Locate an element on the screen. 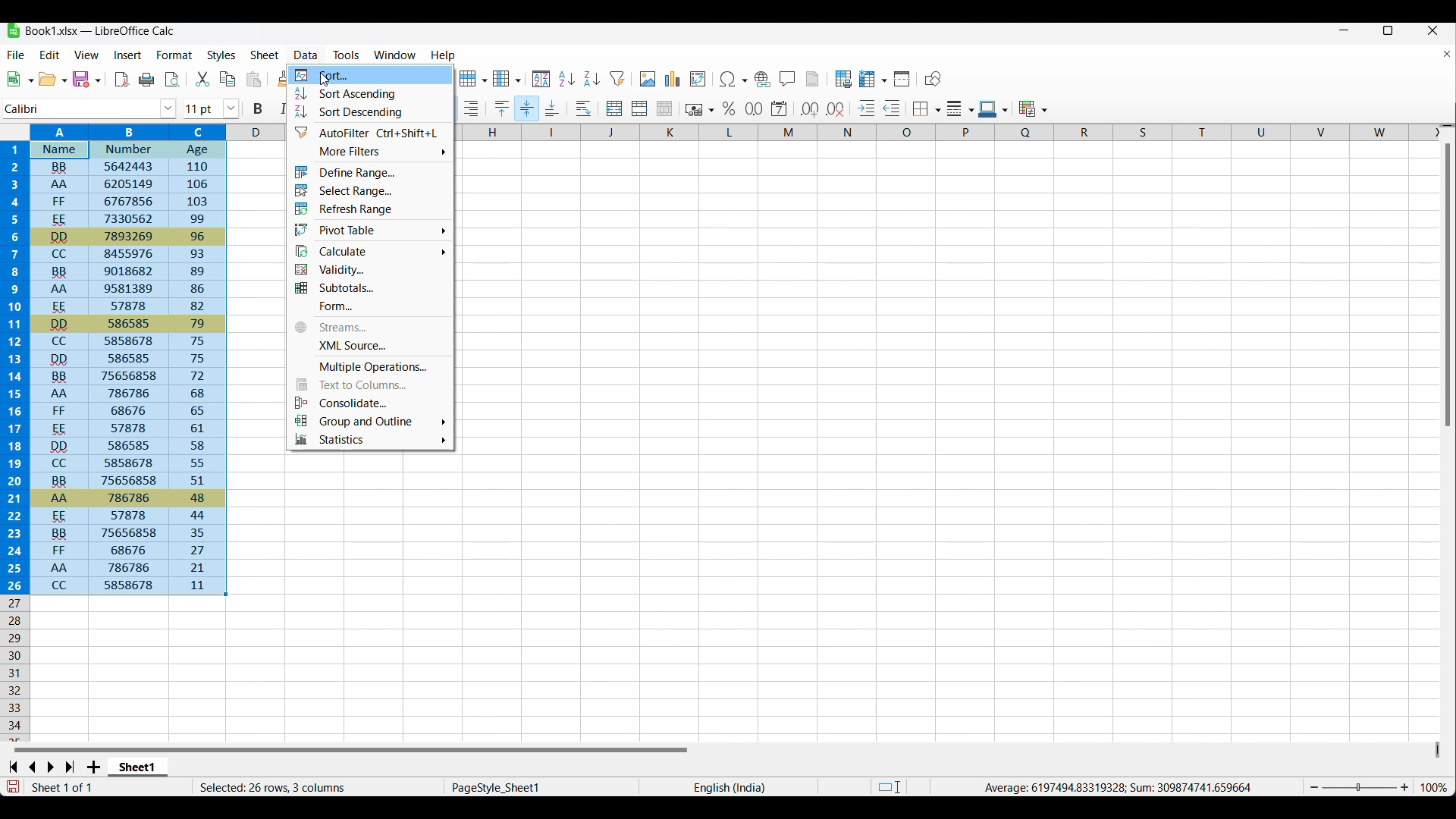 The height and width of the screenshot is (819, 1456). Horizontal slide bar is located at coordinates (351, 749).